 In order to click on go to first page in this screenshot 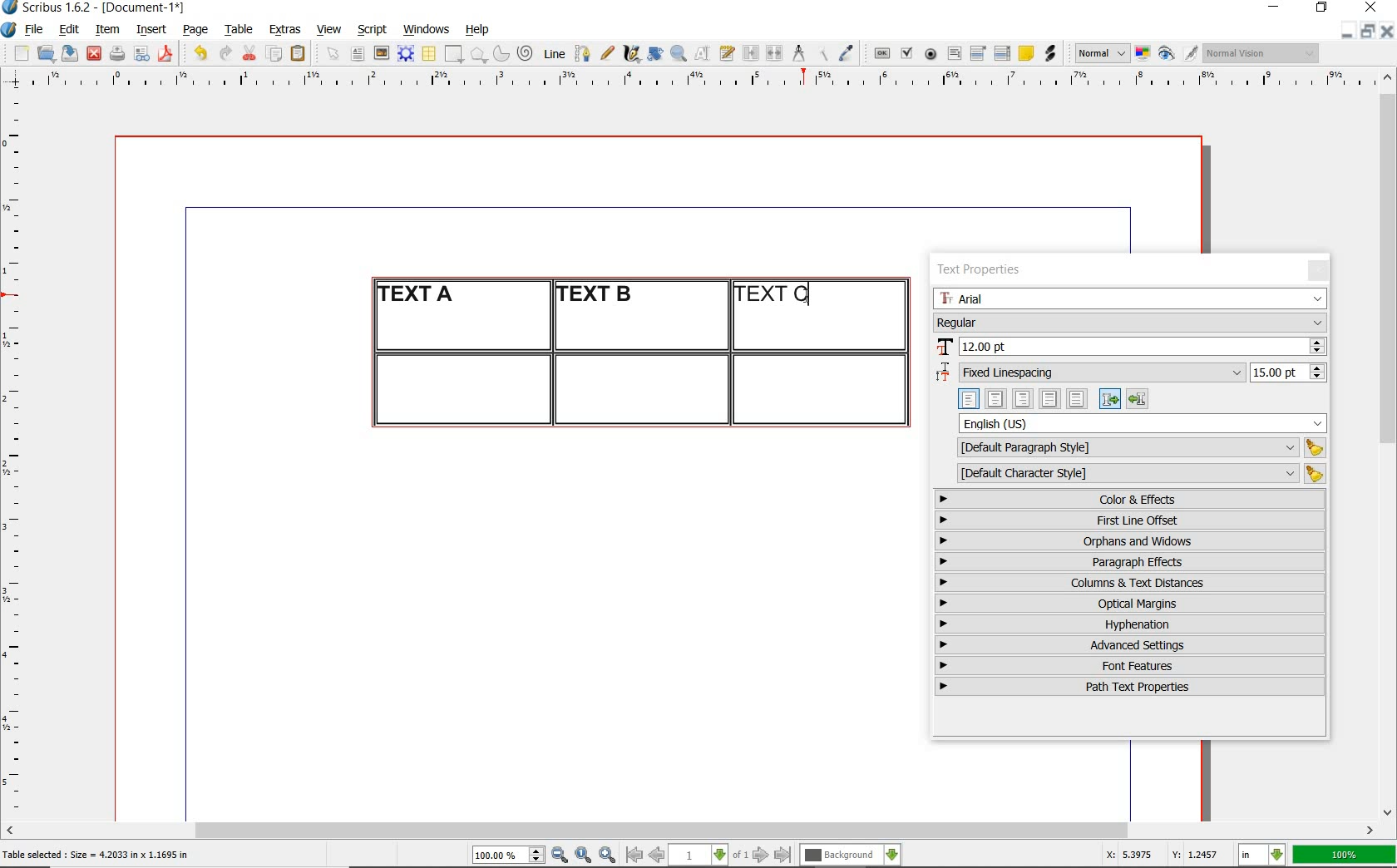, I will do `click(633, 855)`.